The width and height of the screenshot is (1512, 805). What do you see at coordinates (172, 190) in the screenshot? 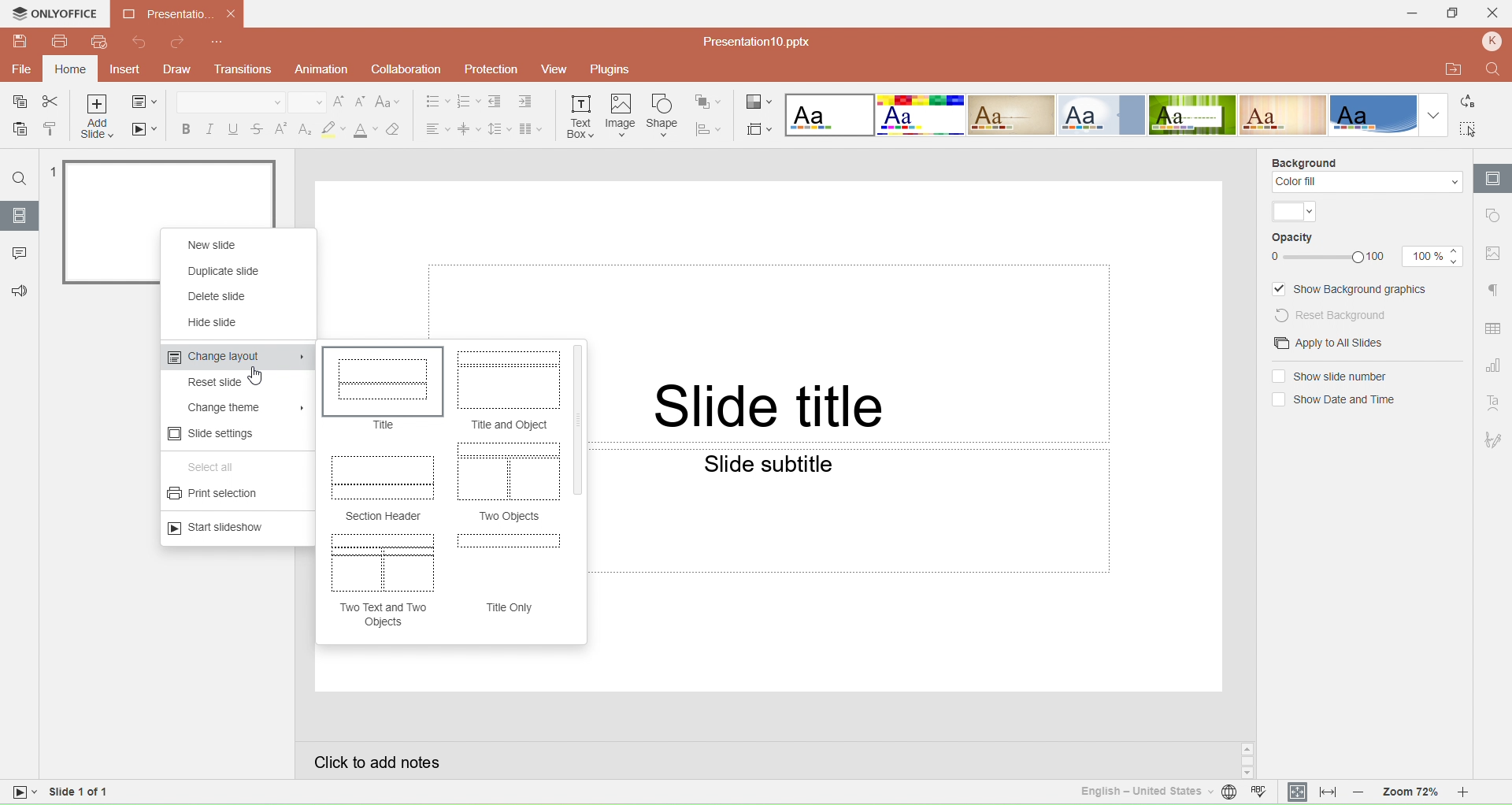
I see `slide` at bounding box center [172, 190].